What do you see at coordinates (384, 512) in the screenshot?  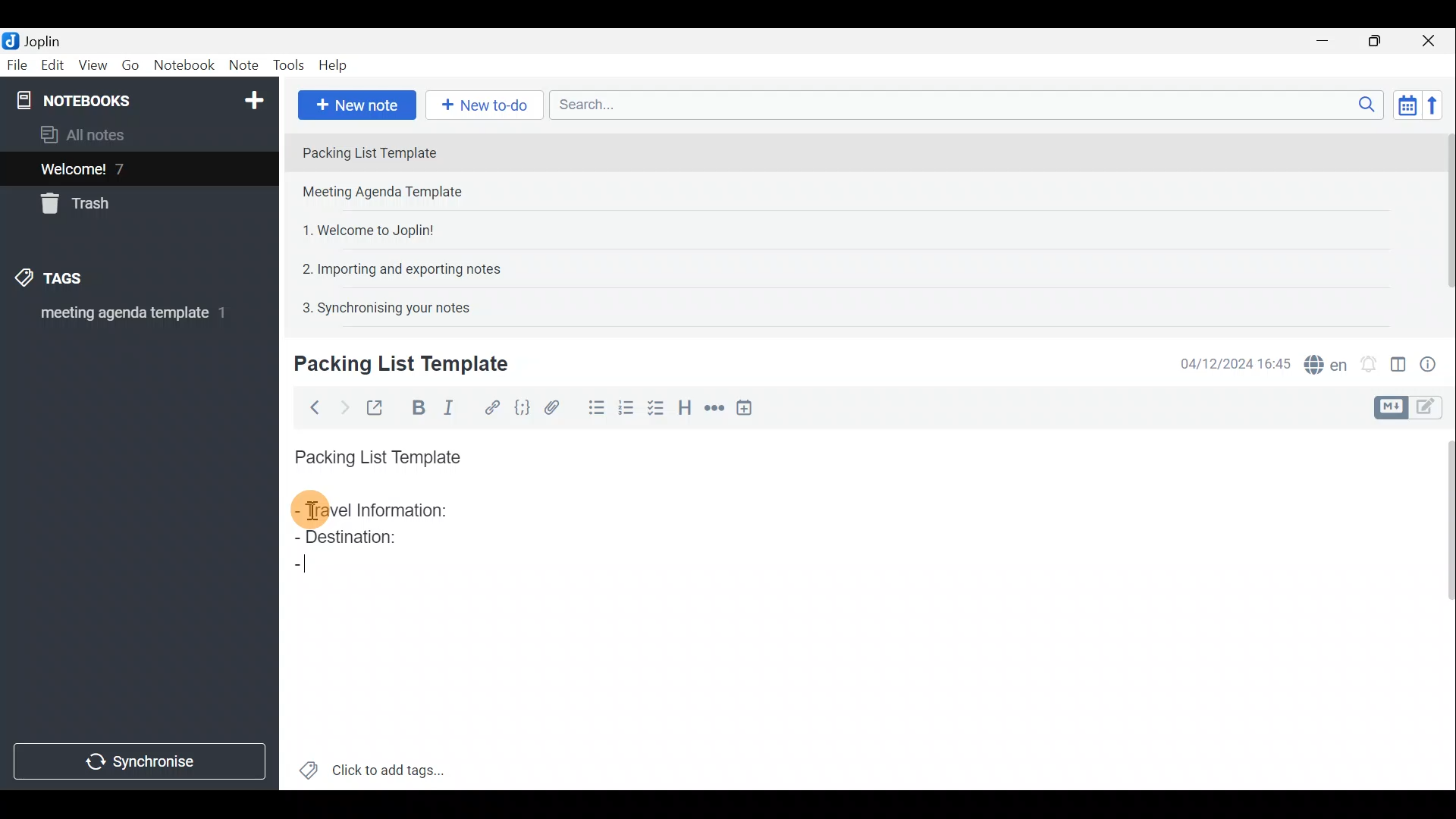 I see `Travel Information:` at bounding box center [384, 512].